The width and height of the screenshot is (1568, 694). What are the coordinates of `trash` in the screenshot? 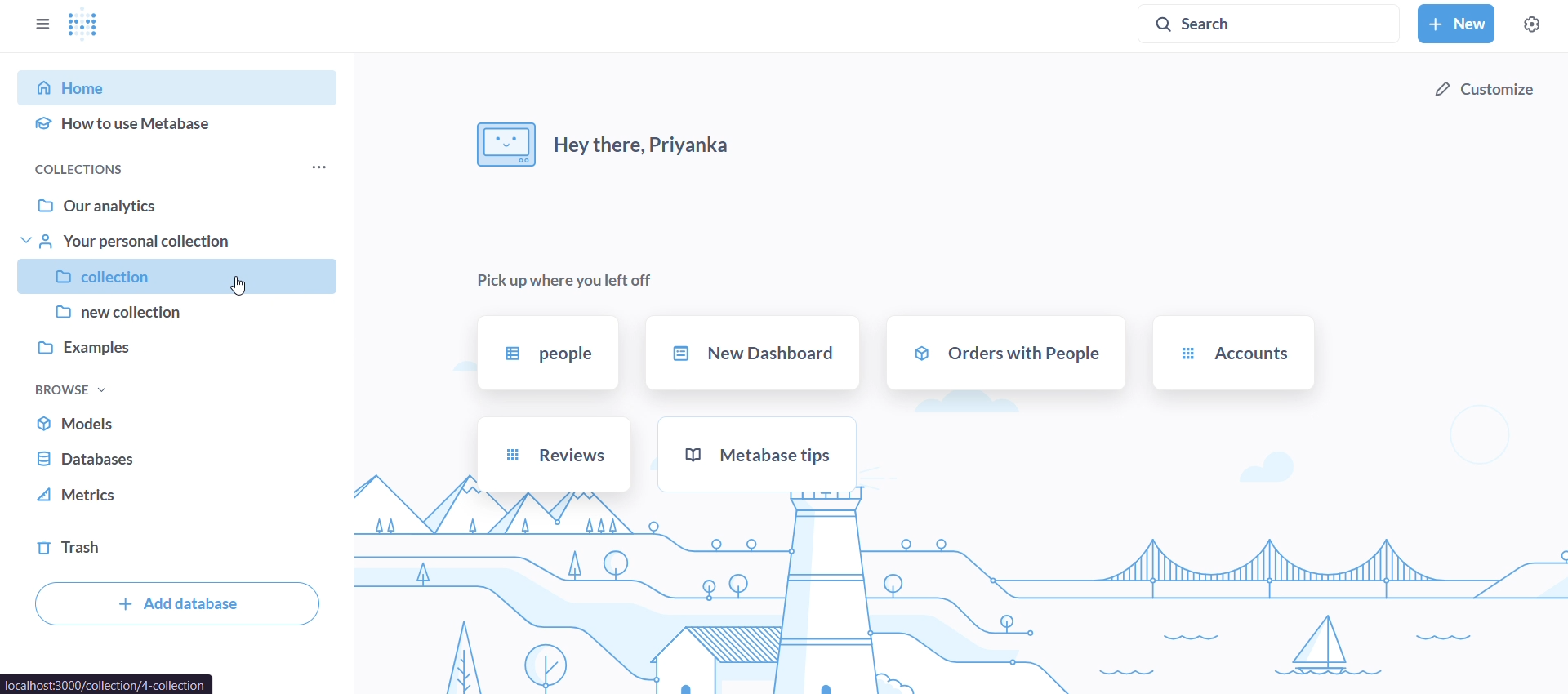 It's located at (182, 547).